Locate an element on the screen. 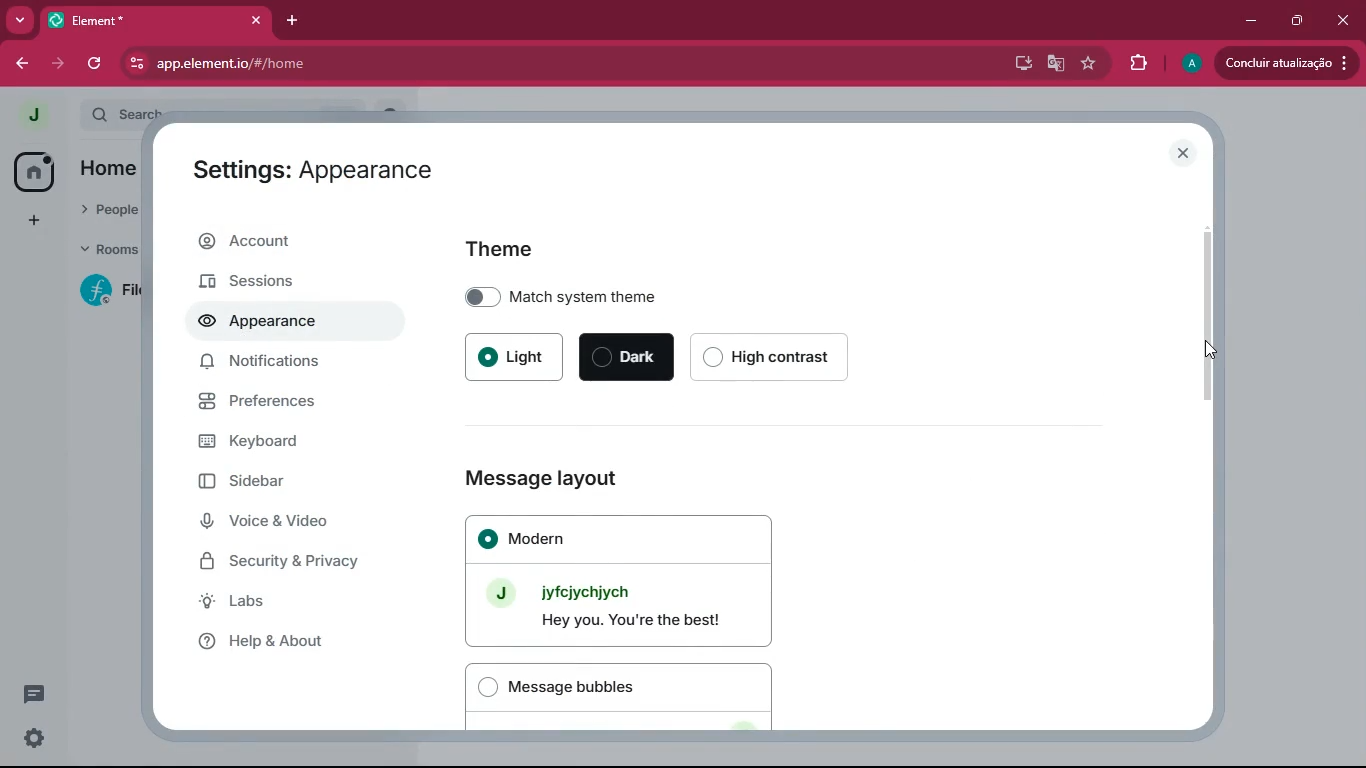 Image resolution: width=1366 pixels, height=768 pixels. Message bubbles is located at coordinates (618, 695).